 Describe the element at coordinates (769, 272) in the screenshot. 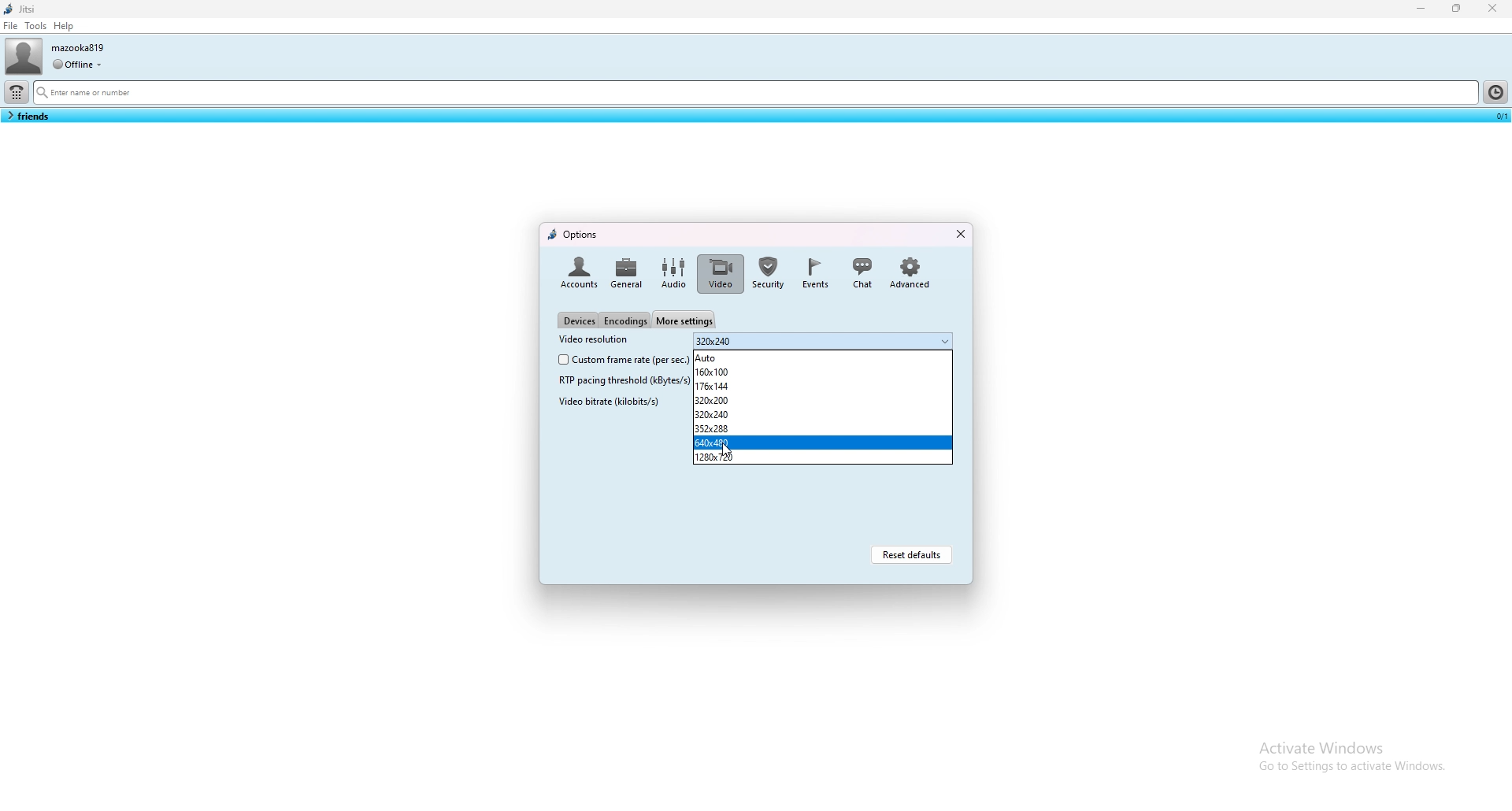

I see `Security` at that location.